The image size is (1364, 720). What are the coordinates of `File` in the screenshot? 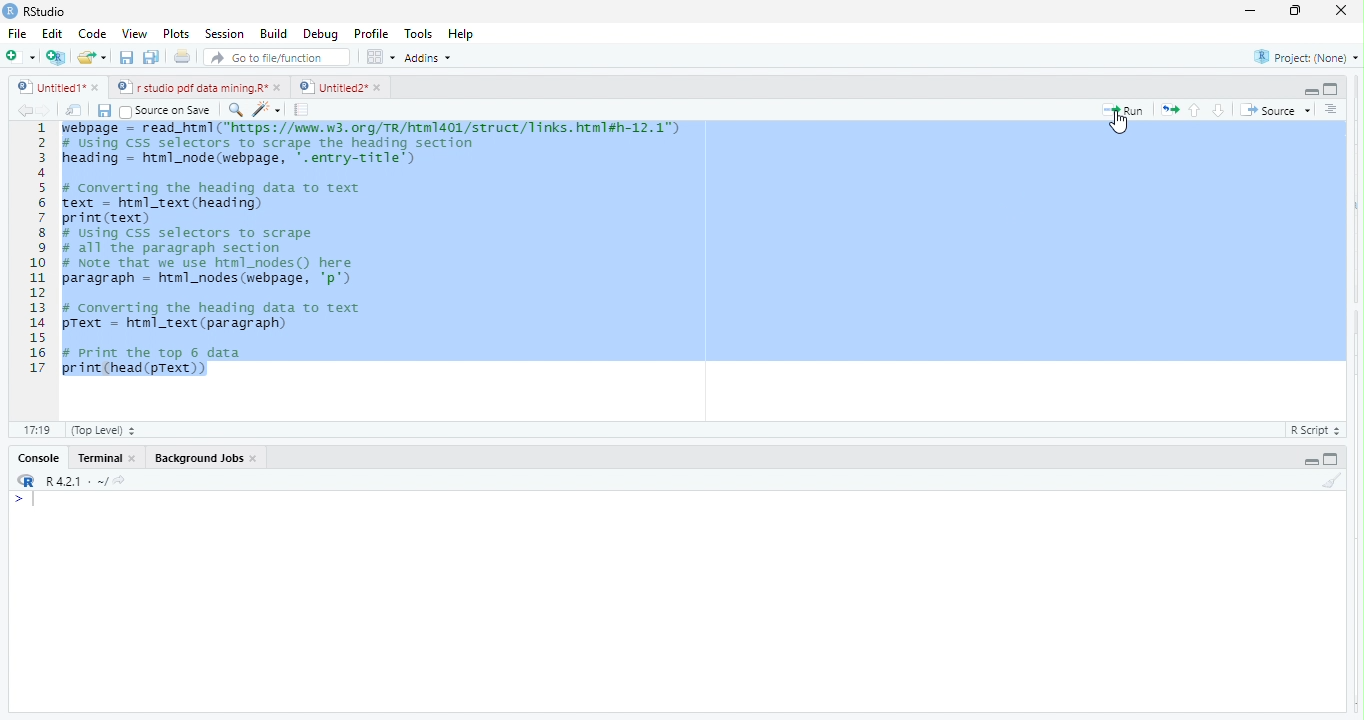 It's located at (17, 34).